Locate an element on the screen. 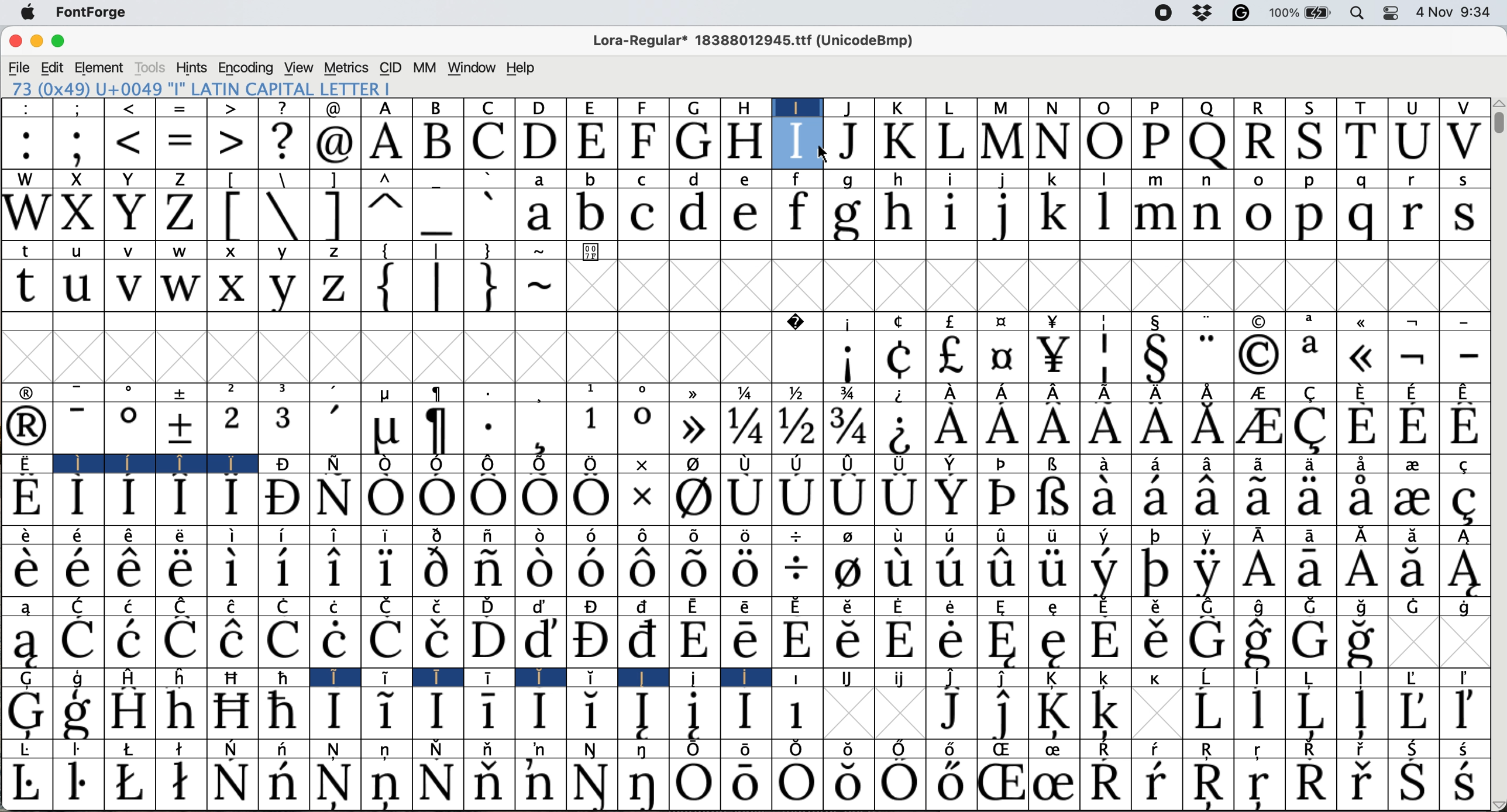  Symbol is located at coordinates (490, 605).